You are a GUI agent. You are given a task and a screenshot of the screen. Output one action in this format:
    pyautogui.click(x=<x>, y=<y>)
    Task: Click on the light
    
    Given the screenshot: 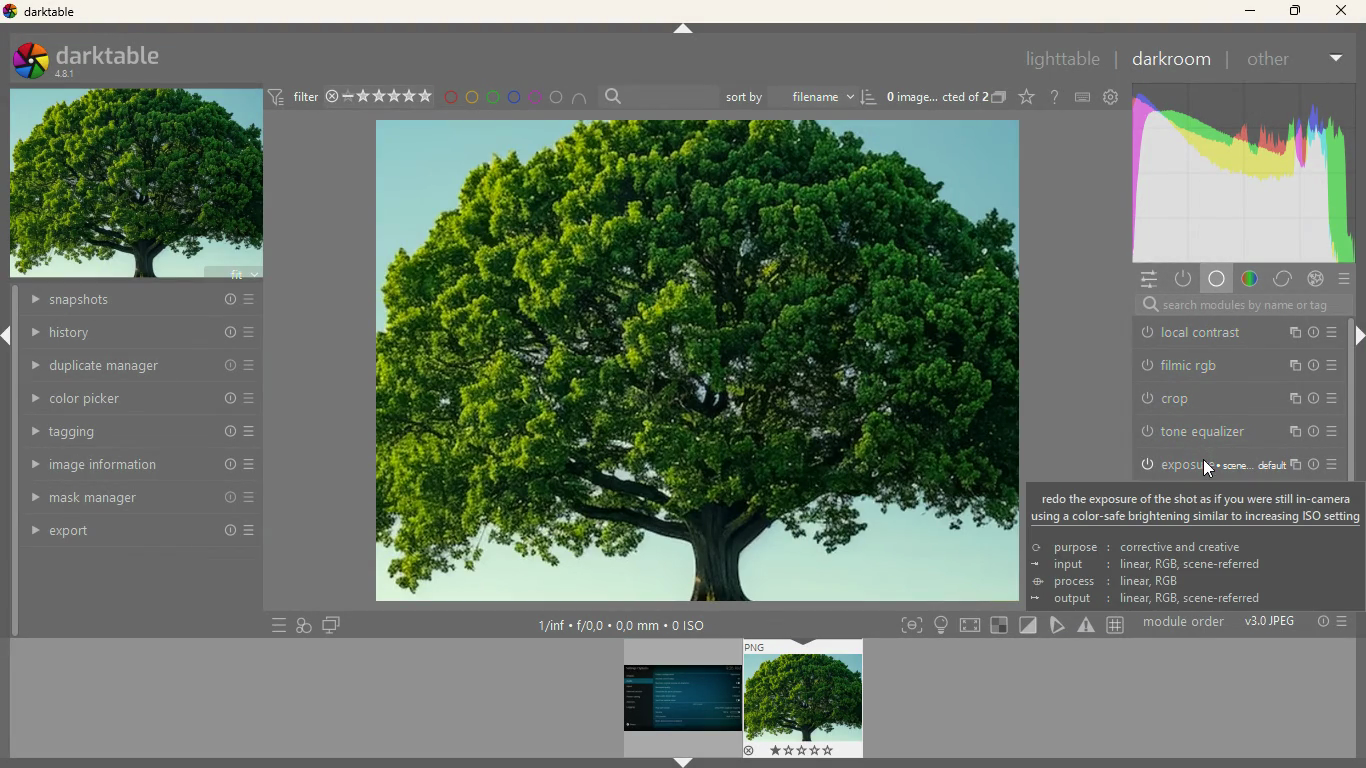 What is the action you would take?
    pyautogui.click(x=943, y=626)
    